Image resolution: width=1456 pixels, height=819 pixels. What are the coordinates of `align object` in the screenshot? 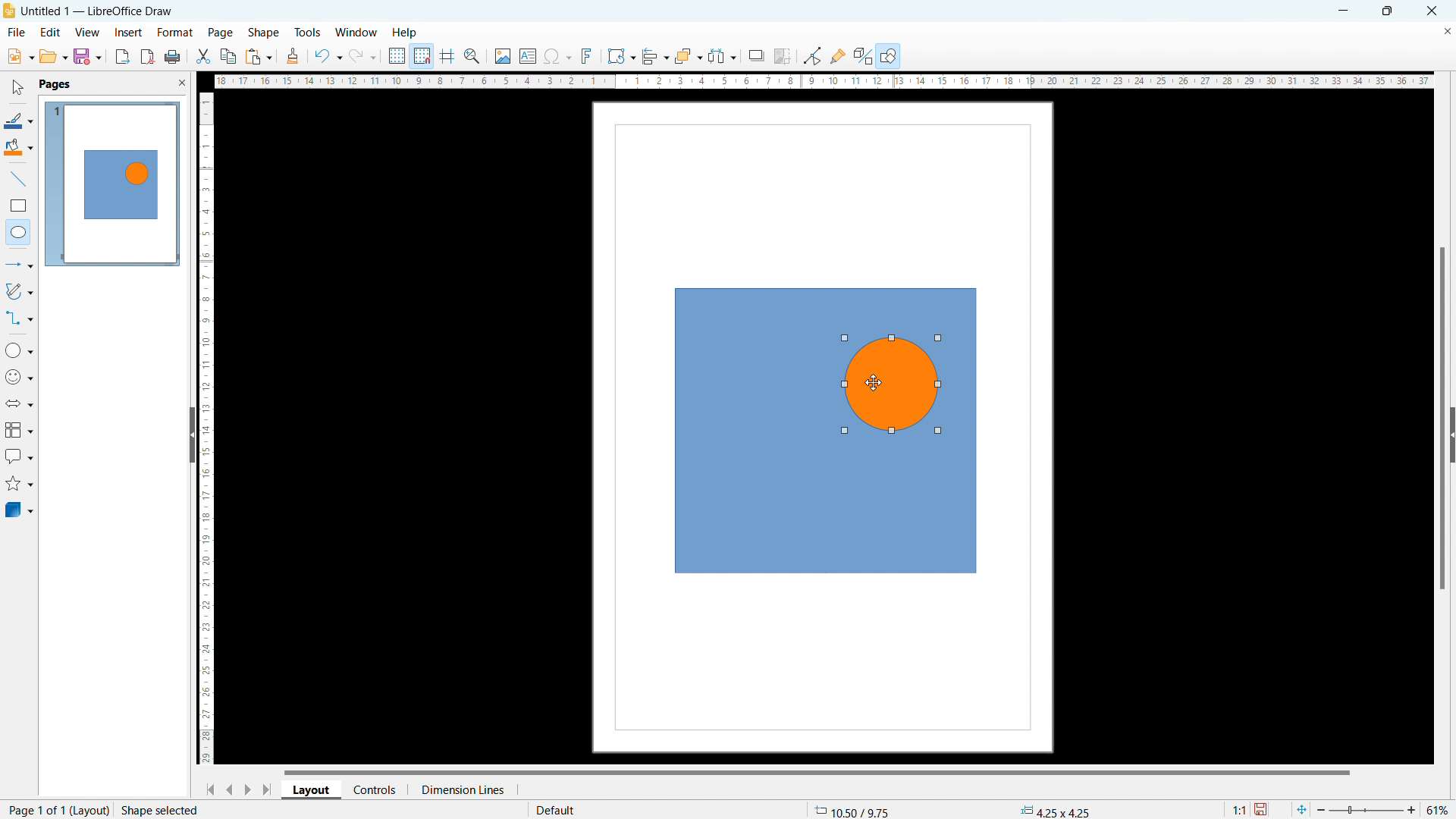 It's located at (654, 56).